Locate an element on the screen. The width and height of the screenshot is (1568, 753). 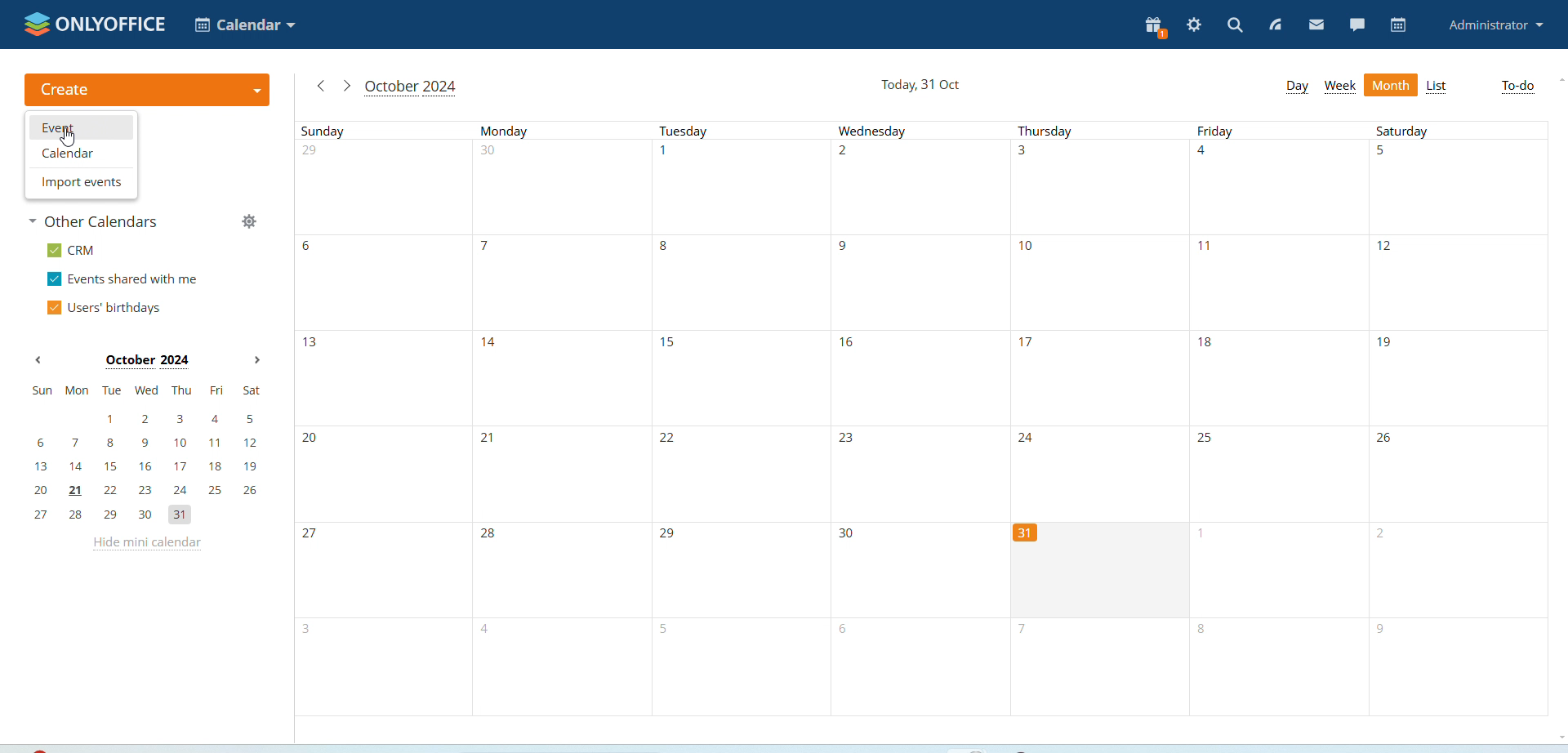
Tuesdays is located at coordinates (740, 418).